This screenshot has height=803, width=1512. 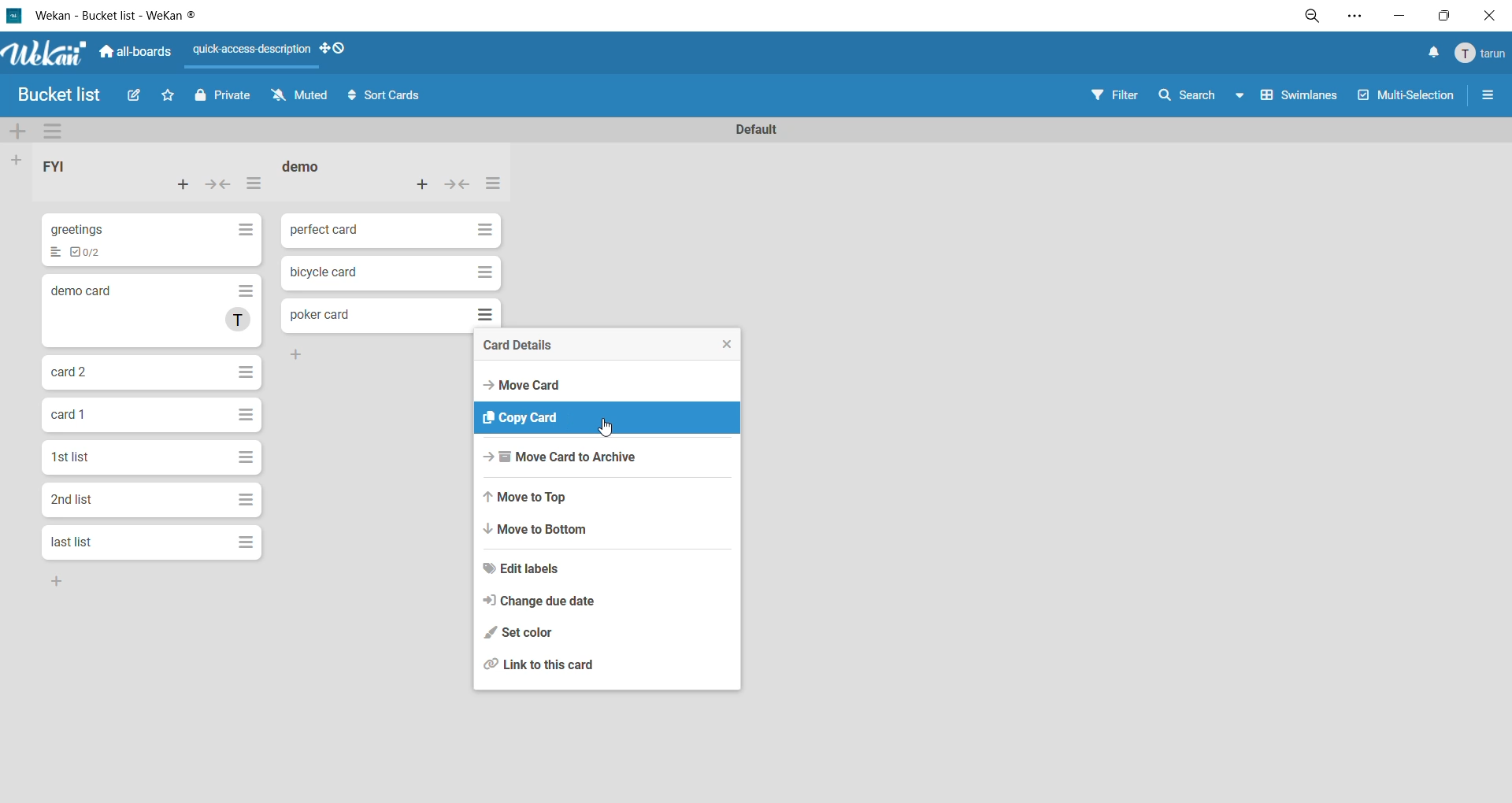 I want to click on add card, so click(x=183, y=187).